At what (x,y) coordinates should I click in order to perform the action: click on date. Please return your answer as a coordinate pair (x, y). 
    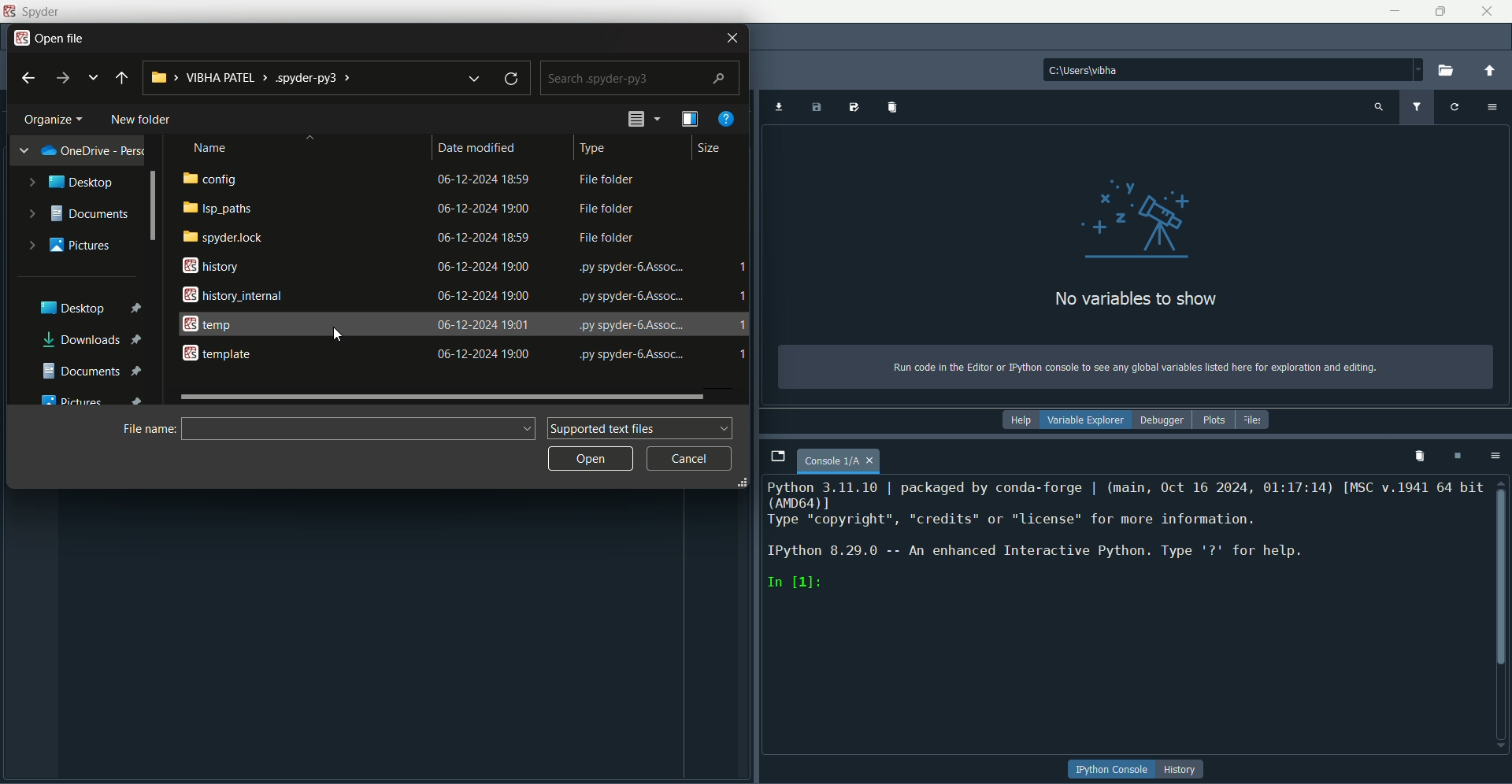
    Looking at the image, I should click on (481, 209).